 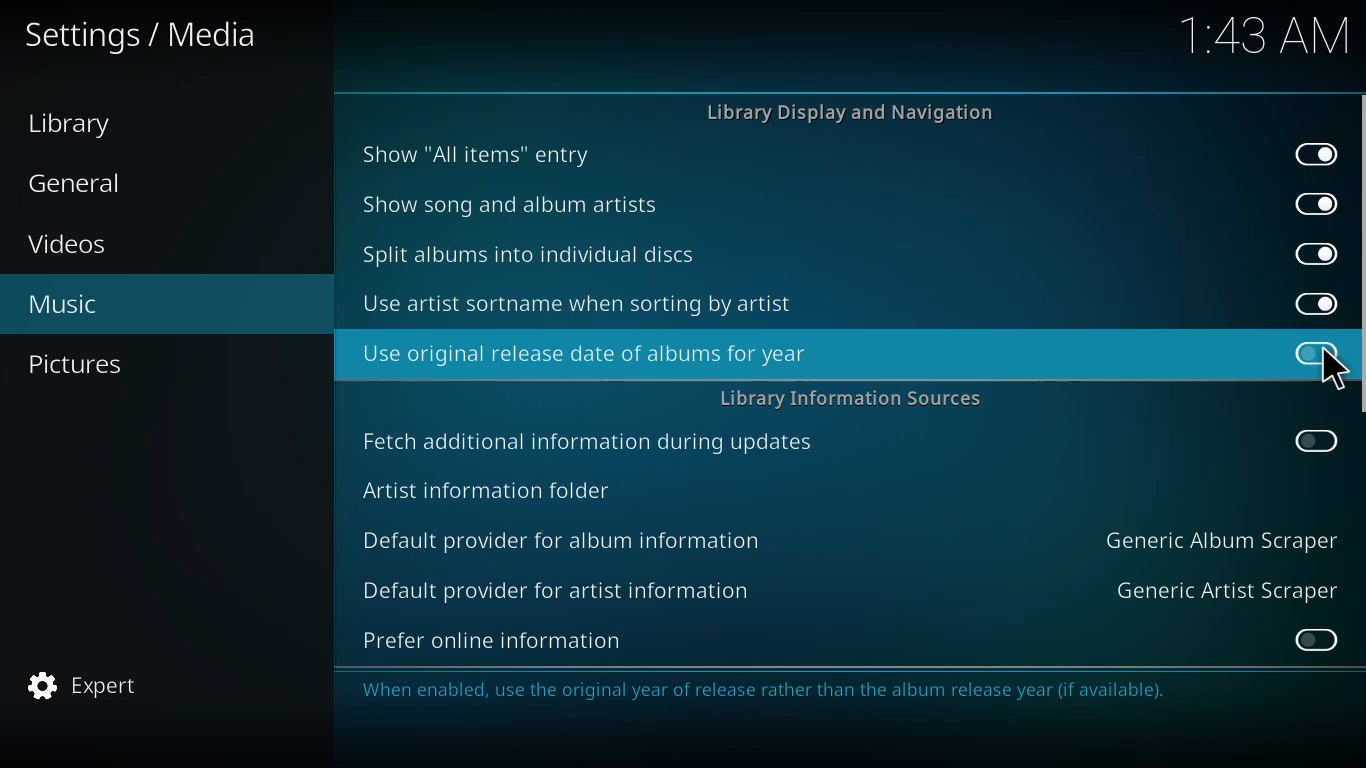 What do you see at coordinates (857, 113) in the screenshot?
I see `library display ` at bounding box center [857, 113].